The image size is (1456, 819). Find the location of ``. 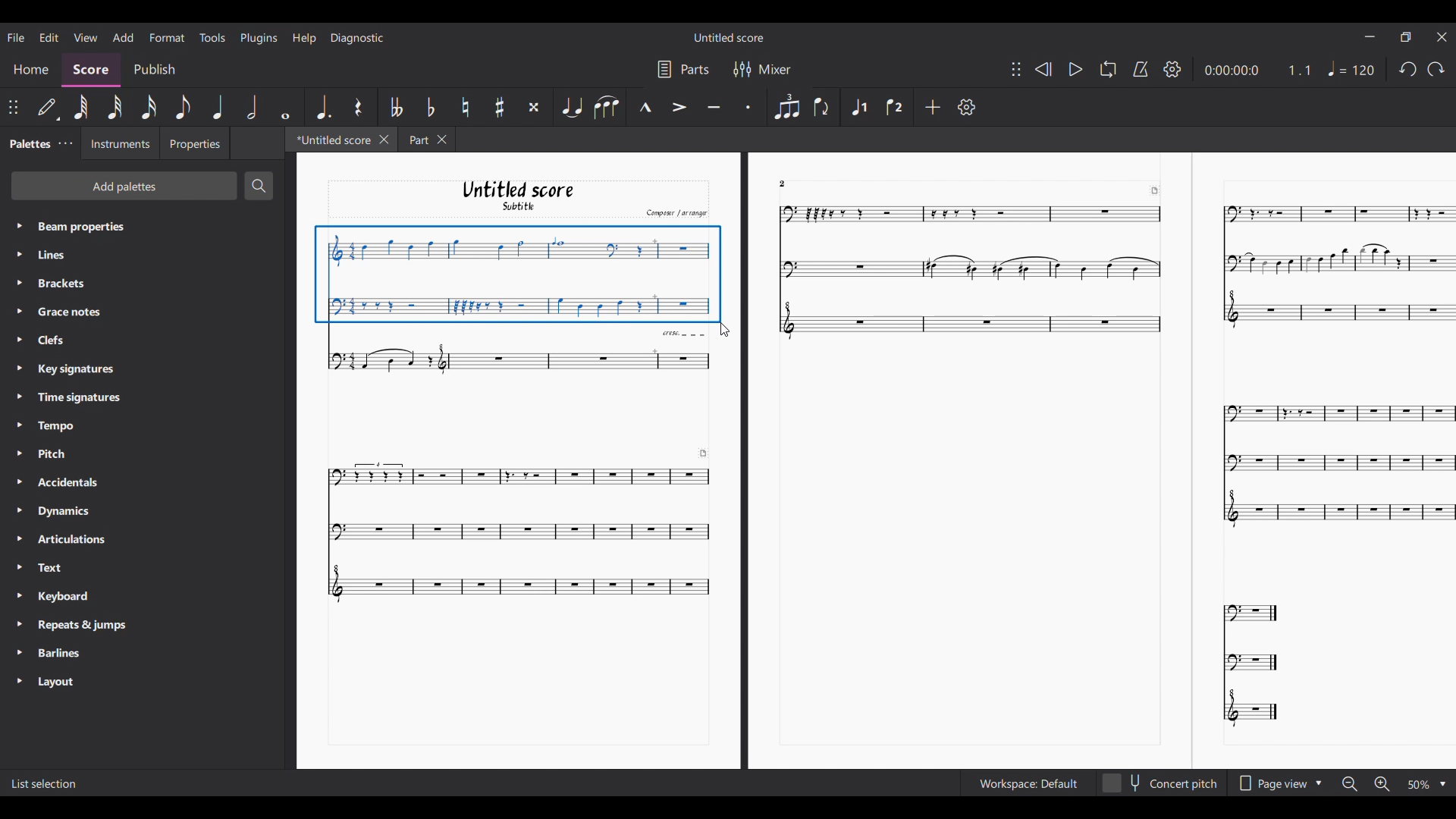

 is located at coordinates (1247, 707).